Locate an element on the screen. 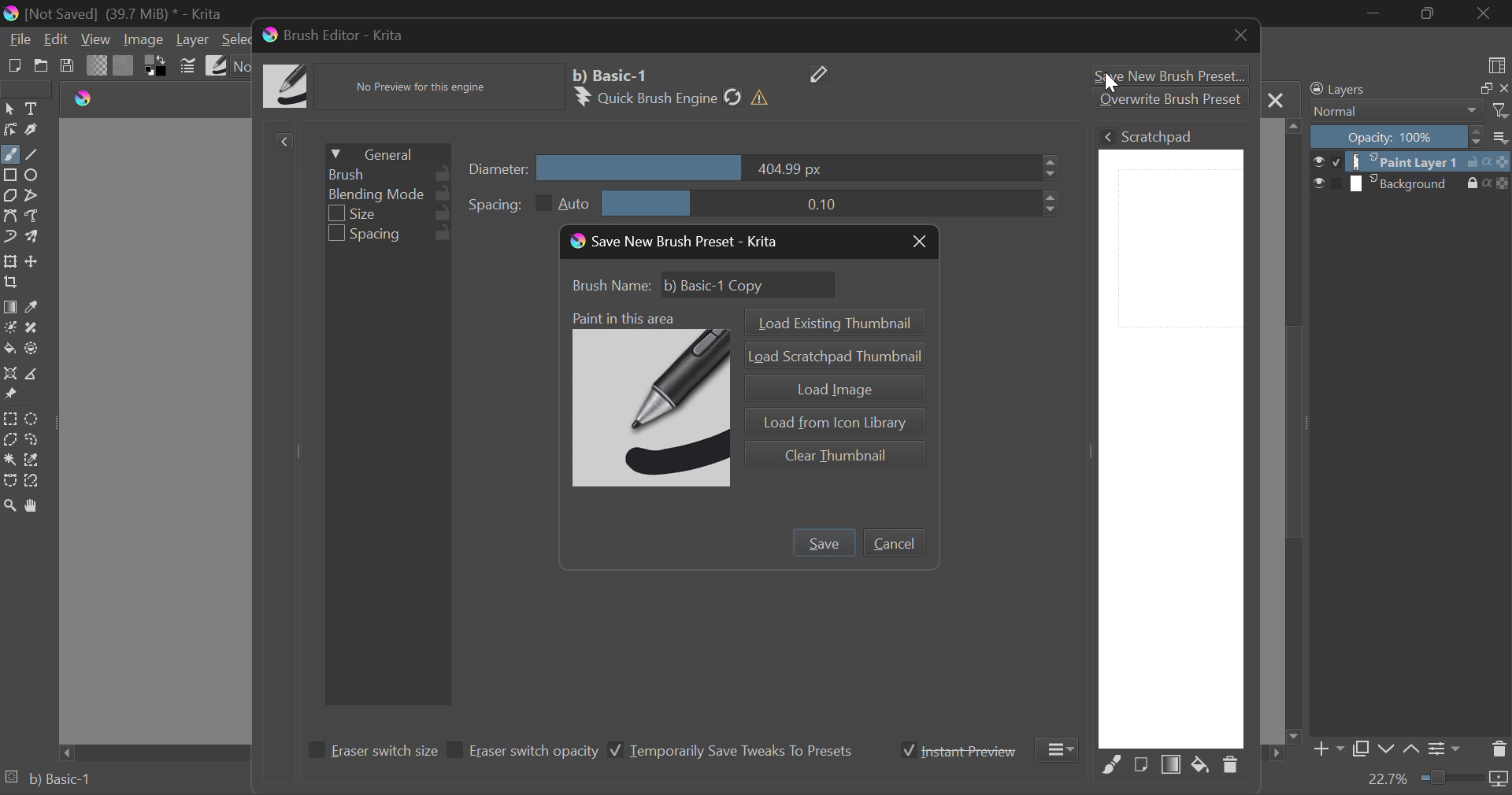 The width and height of the screenshot is (1512, 795). Assistant Tool is located at coordinates (11, 374).